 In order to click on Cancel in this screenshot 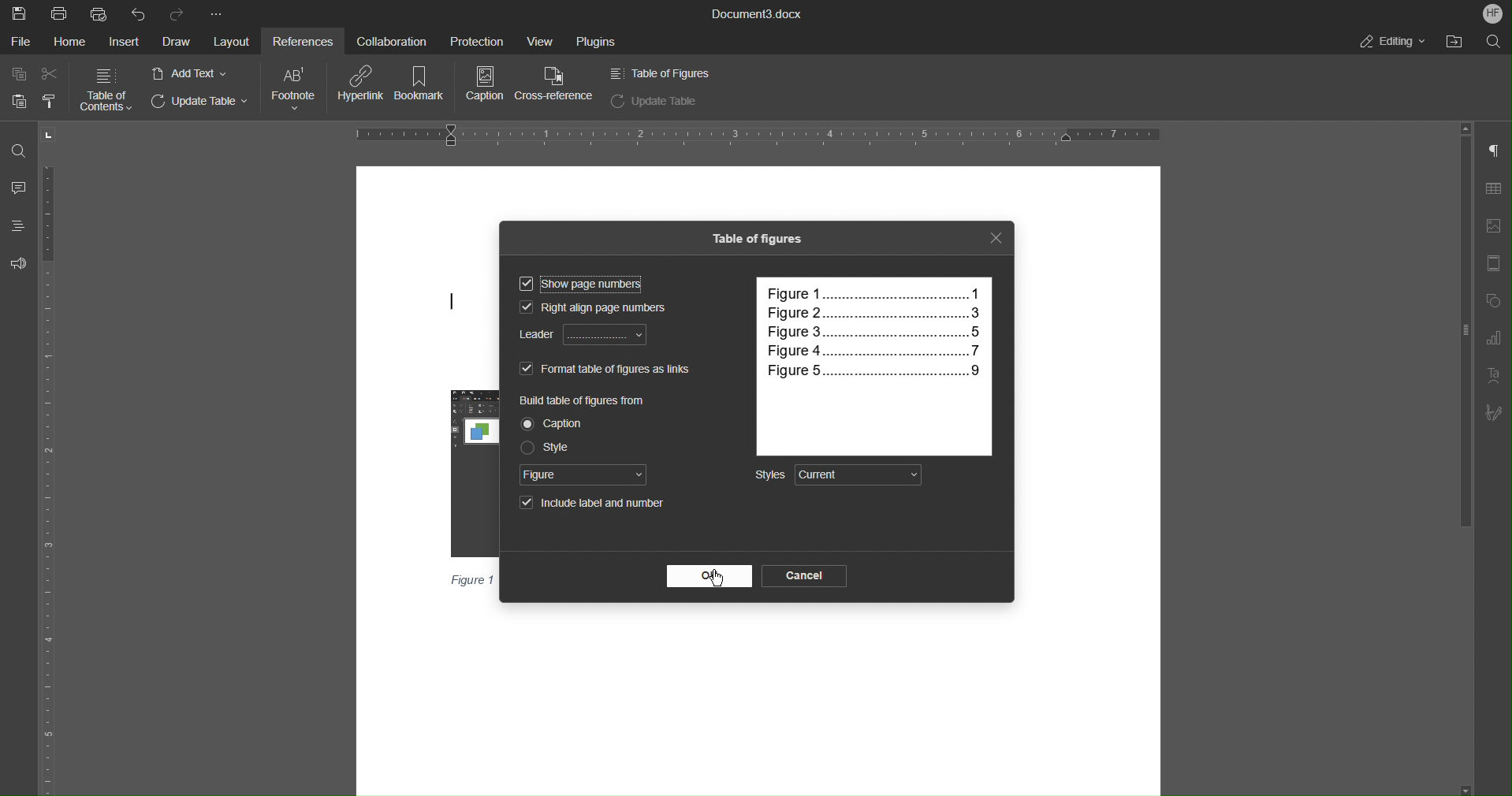, I will do `click(808, 576)`.